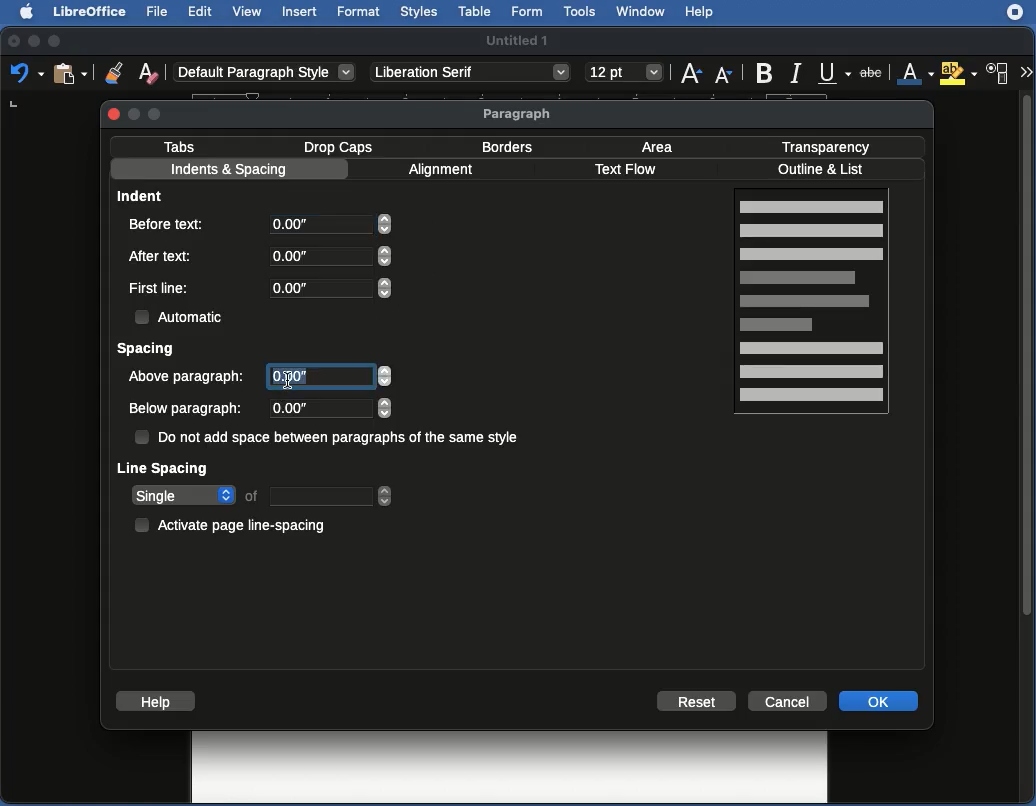 The width and height of the screenshot is (1036, 806). I want to click on Bold, so click(763, 71).